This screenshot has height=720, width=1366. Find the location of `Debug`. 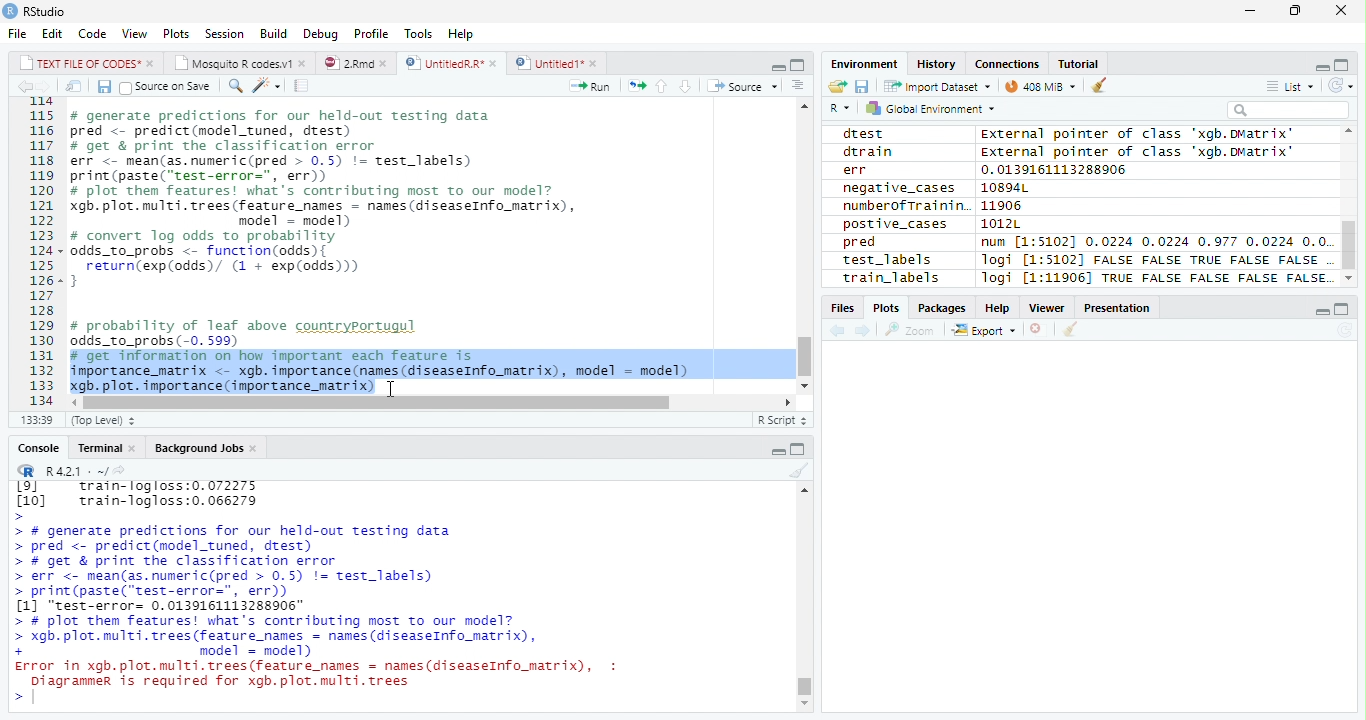

Debug is located at coordinates (319, 35).